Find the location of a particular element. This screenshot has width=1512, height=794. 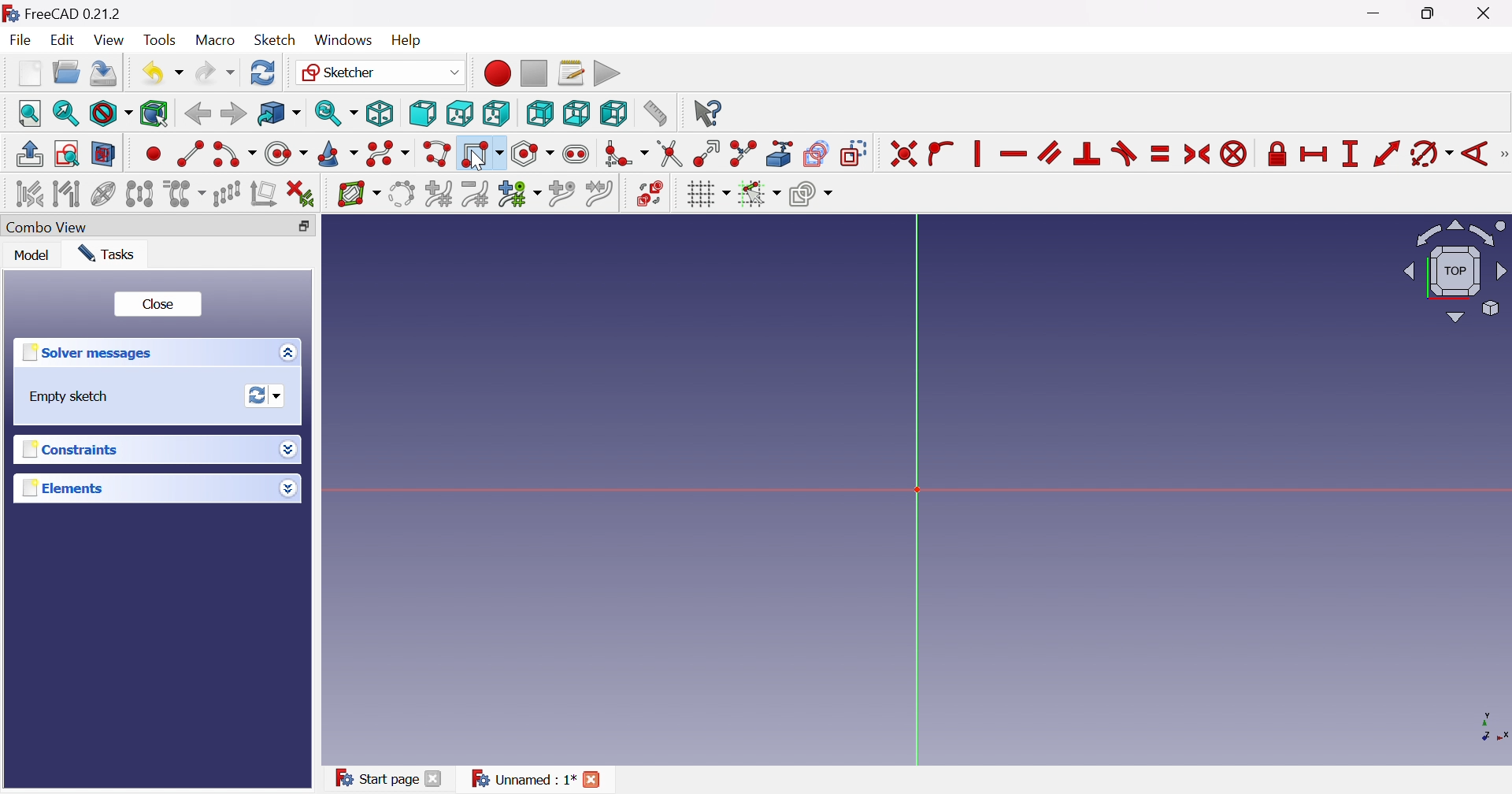

Constrain tangent is located at coordinates (1124, 154).